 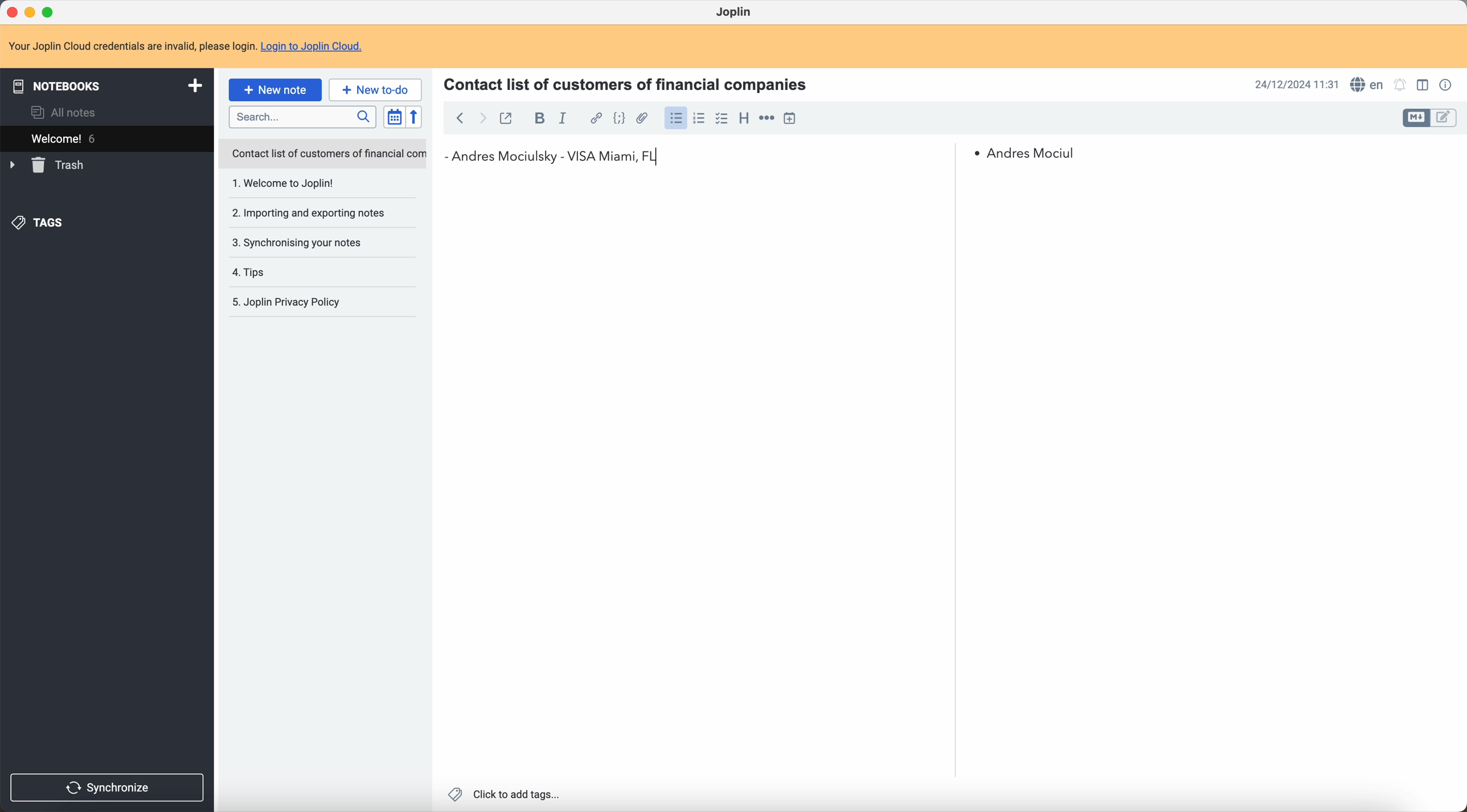 What do you see at coordinates (1026, 153) in the screenshot?
I see `first point` at bounding box center [1026, 153].